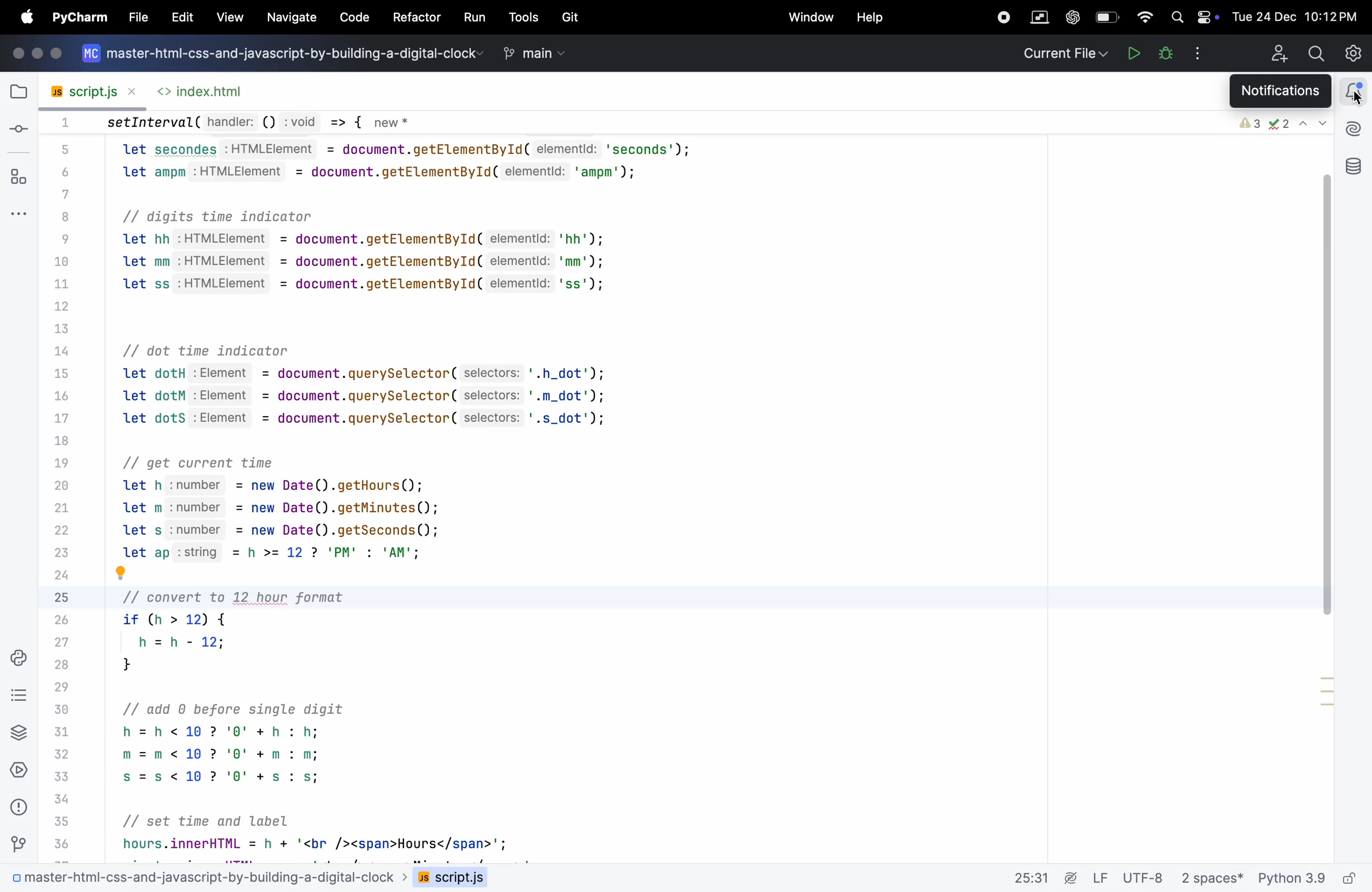 This screenshot has height=892, width=1372. Describe the element at coordinates (1211, 878) in the screenshot. I see `2 spaces` at that location.